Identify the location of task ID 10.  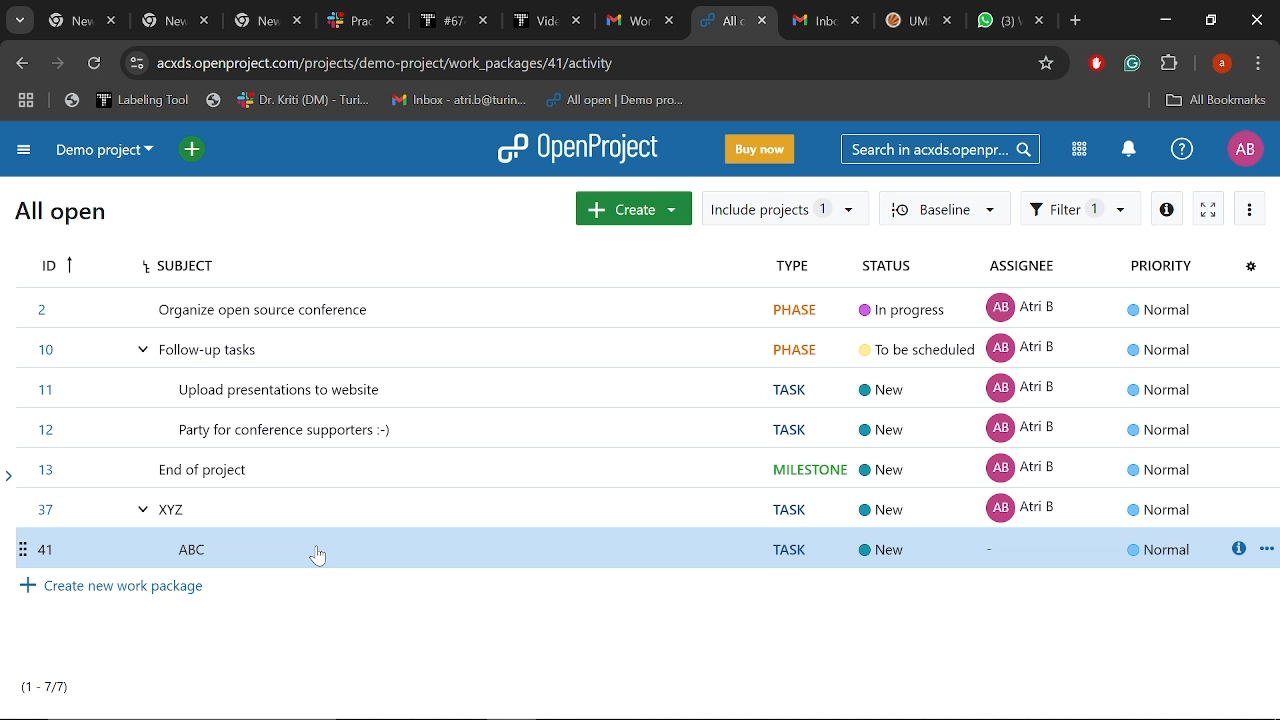
(650, 350).